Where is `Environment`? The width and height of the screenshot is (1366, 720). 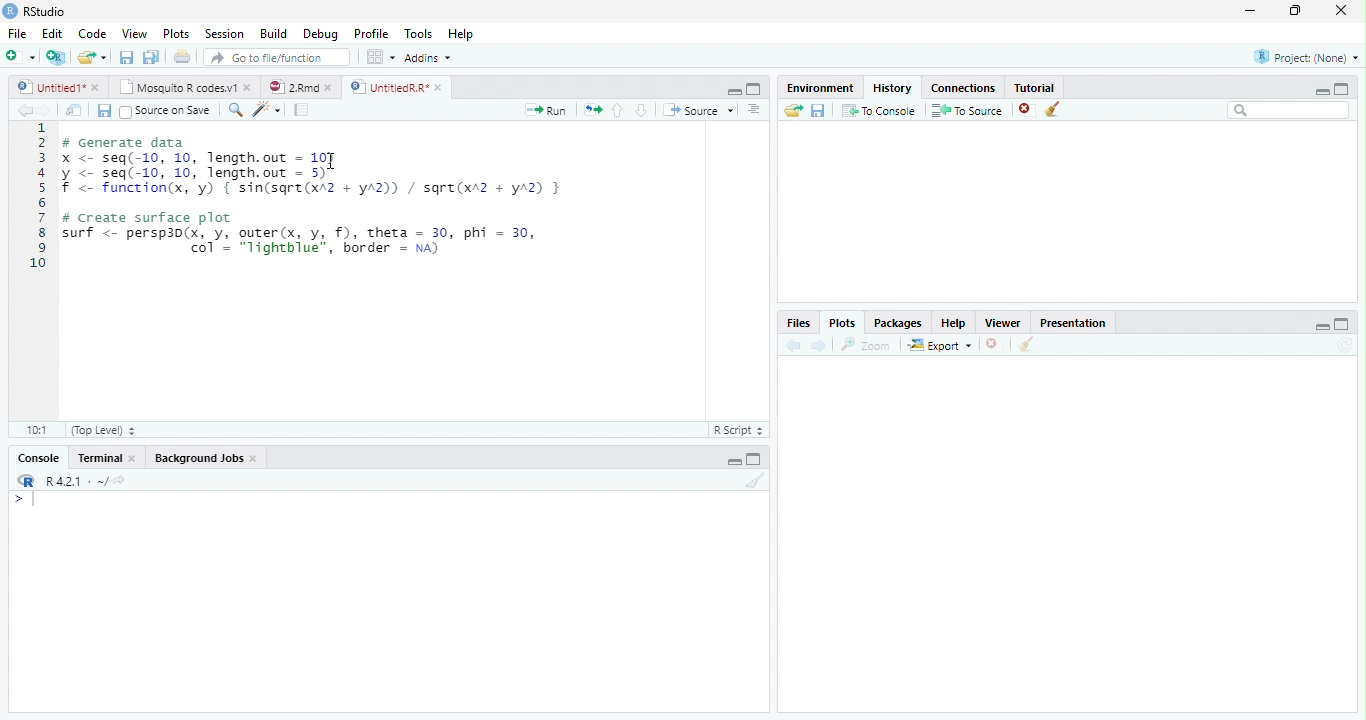
Environment is located at coordinates (820, 88).